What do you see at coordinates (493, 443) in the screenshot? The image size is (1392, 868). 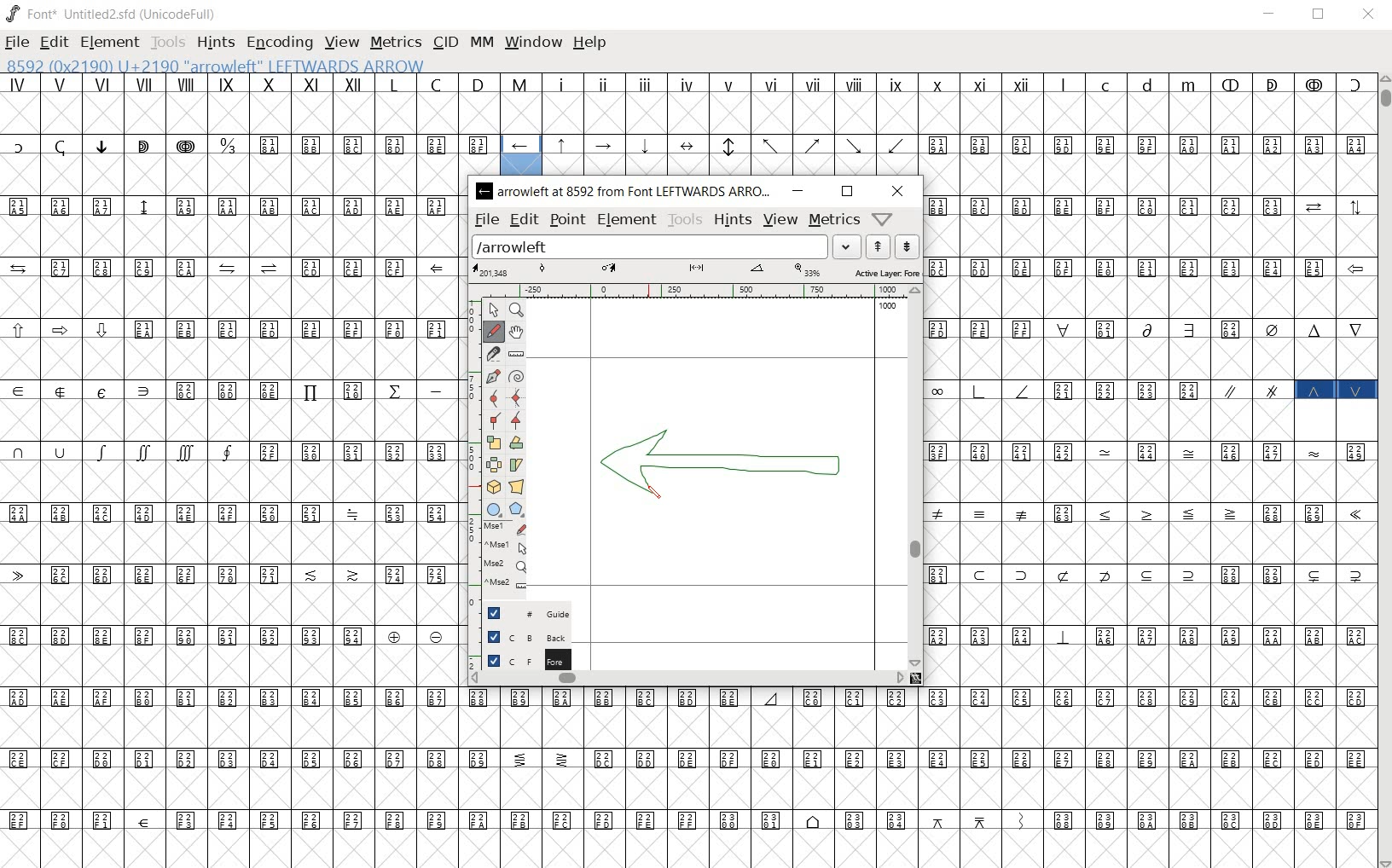 I see `scale the selection` at bounding box center [493, 443].